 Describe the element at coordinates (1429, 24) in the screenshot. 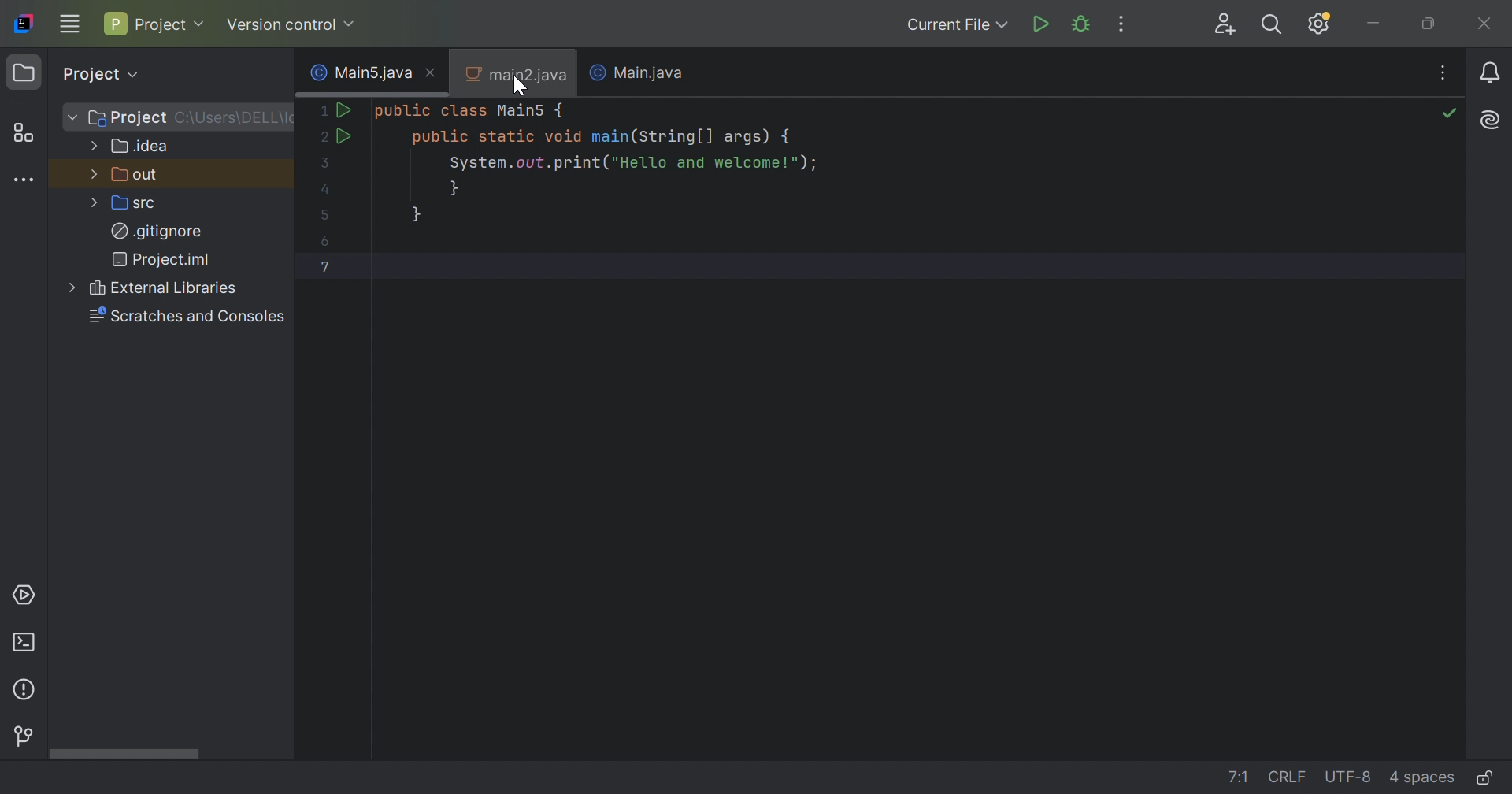

I see `Restore down` at that location.